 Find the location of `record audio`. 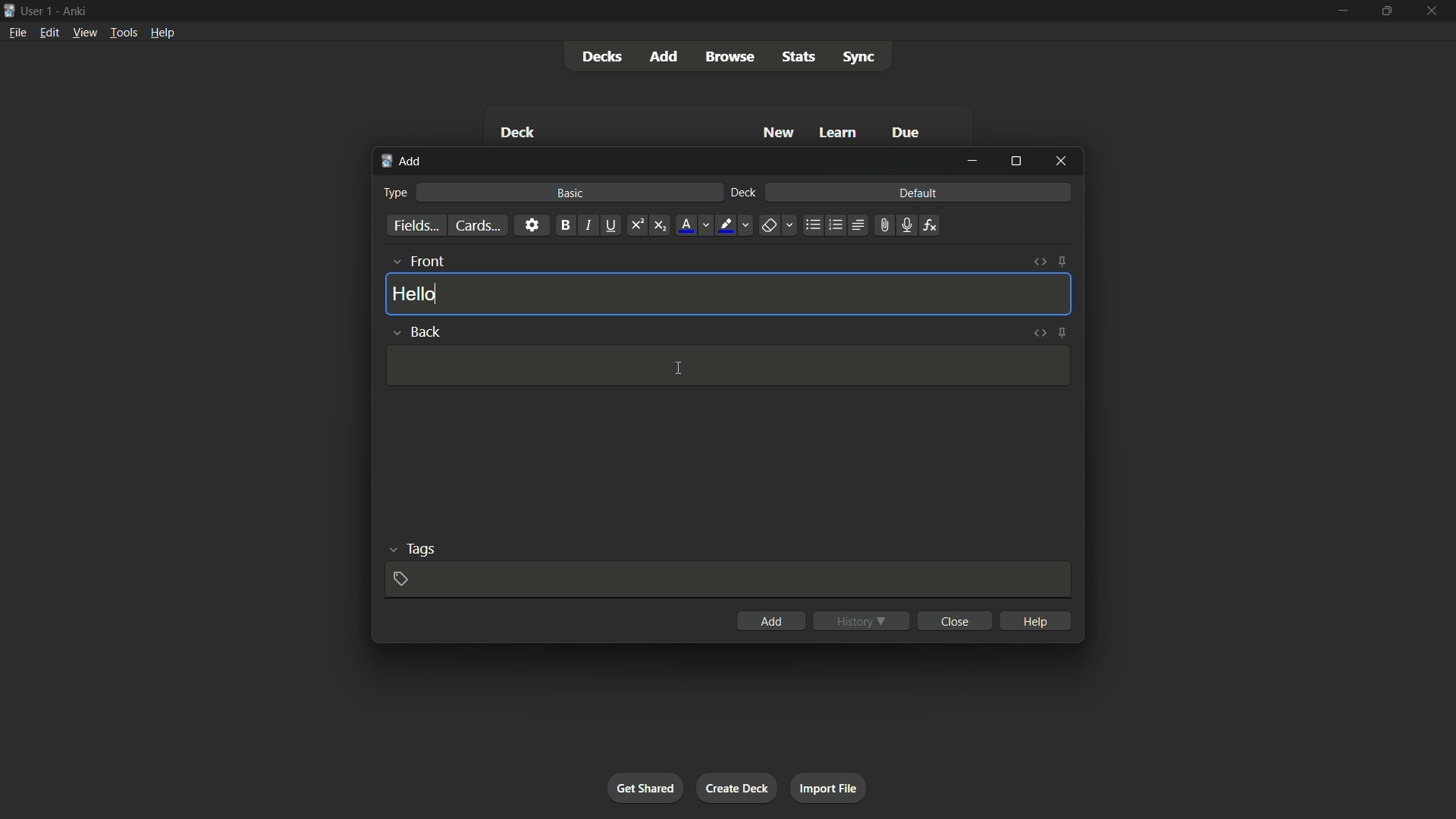

record audio is located at coordinates (907, 225).